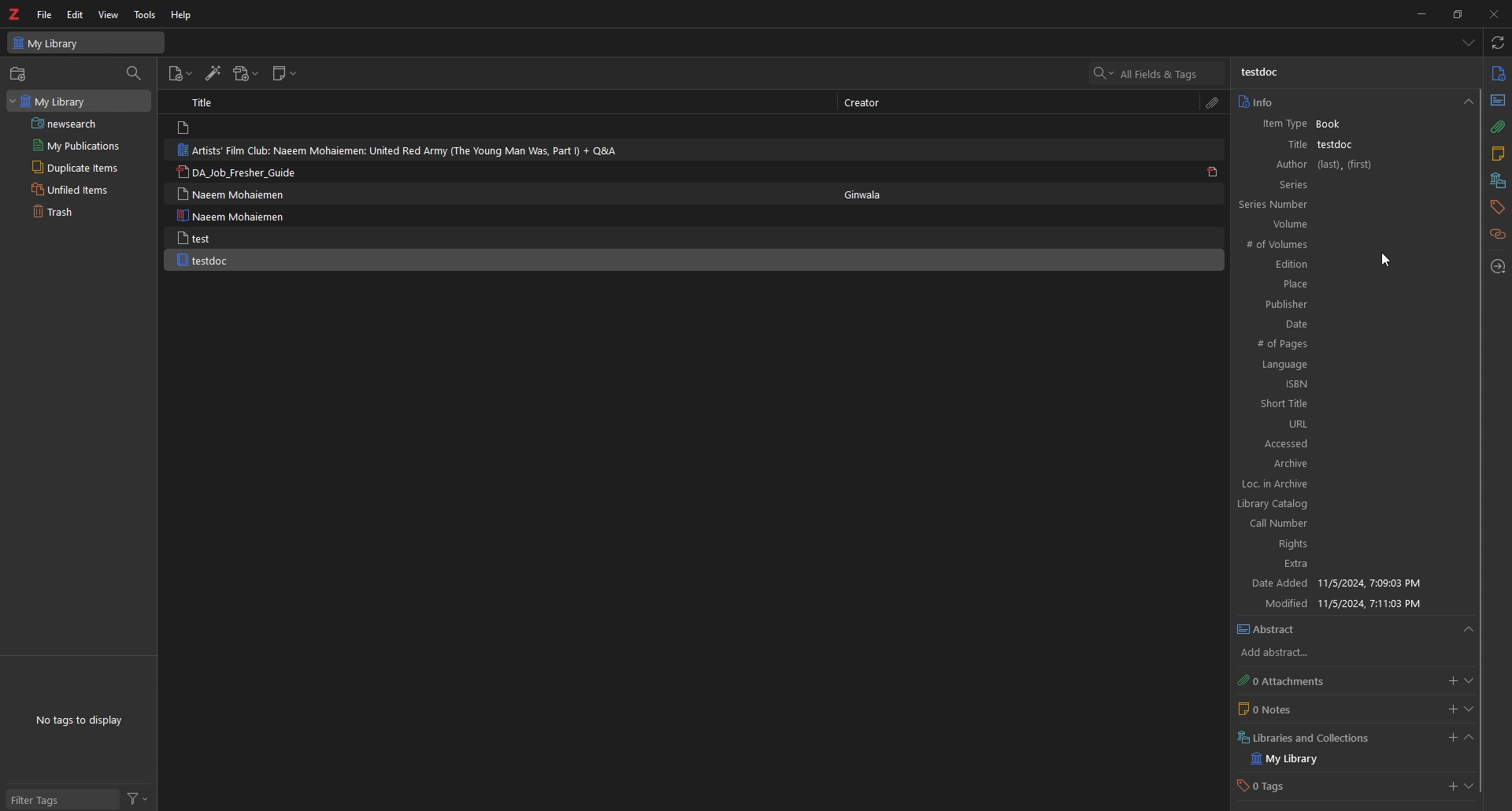 The image size is (1512, 811). I want to click on list all items, so click(1469, 43).